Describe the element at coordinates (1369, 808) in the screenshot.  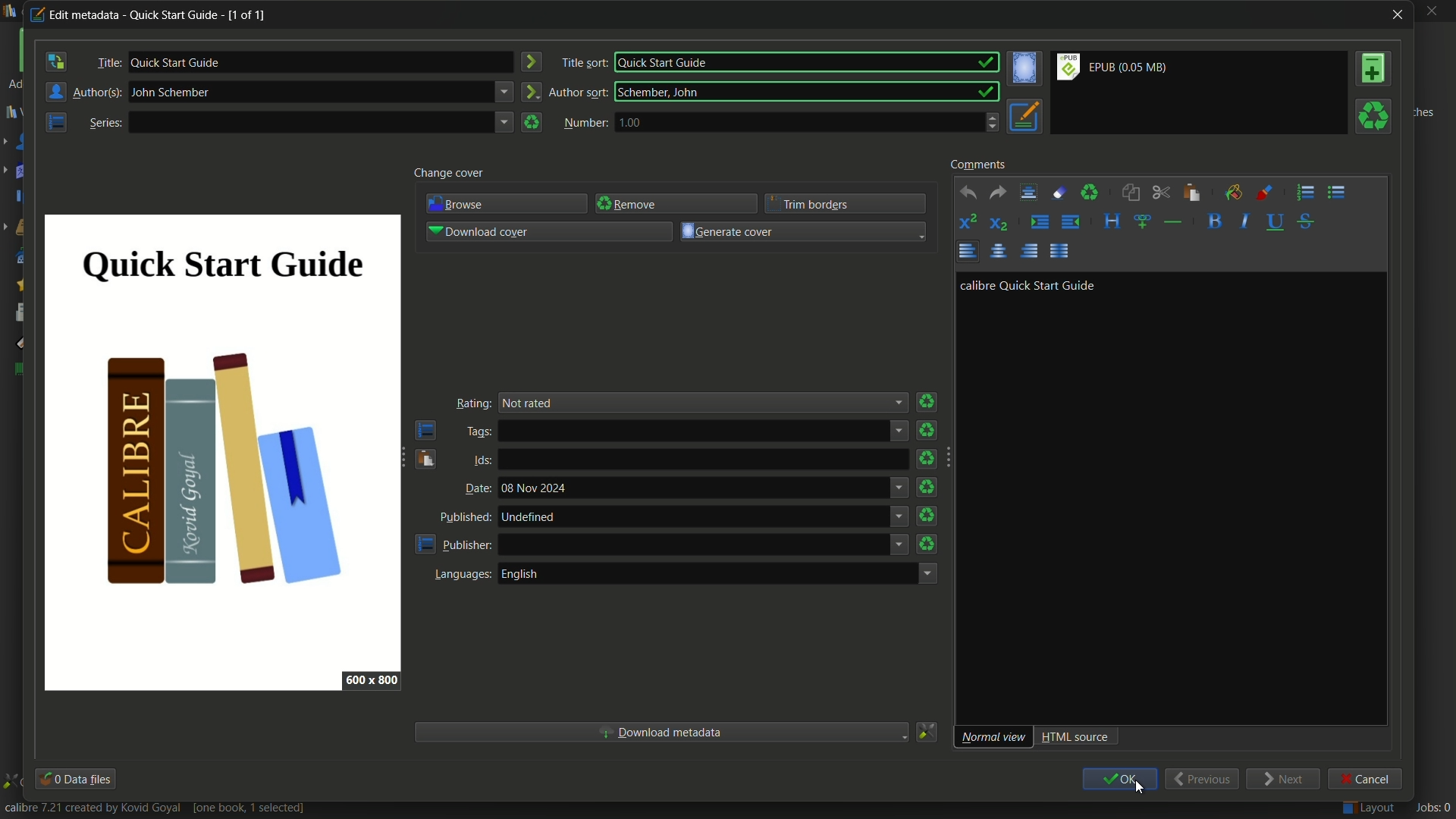
I see `Layout` at that location.